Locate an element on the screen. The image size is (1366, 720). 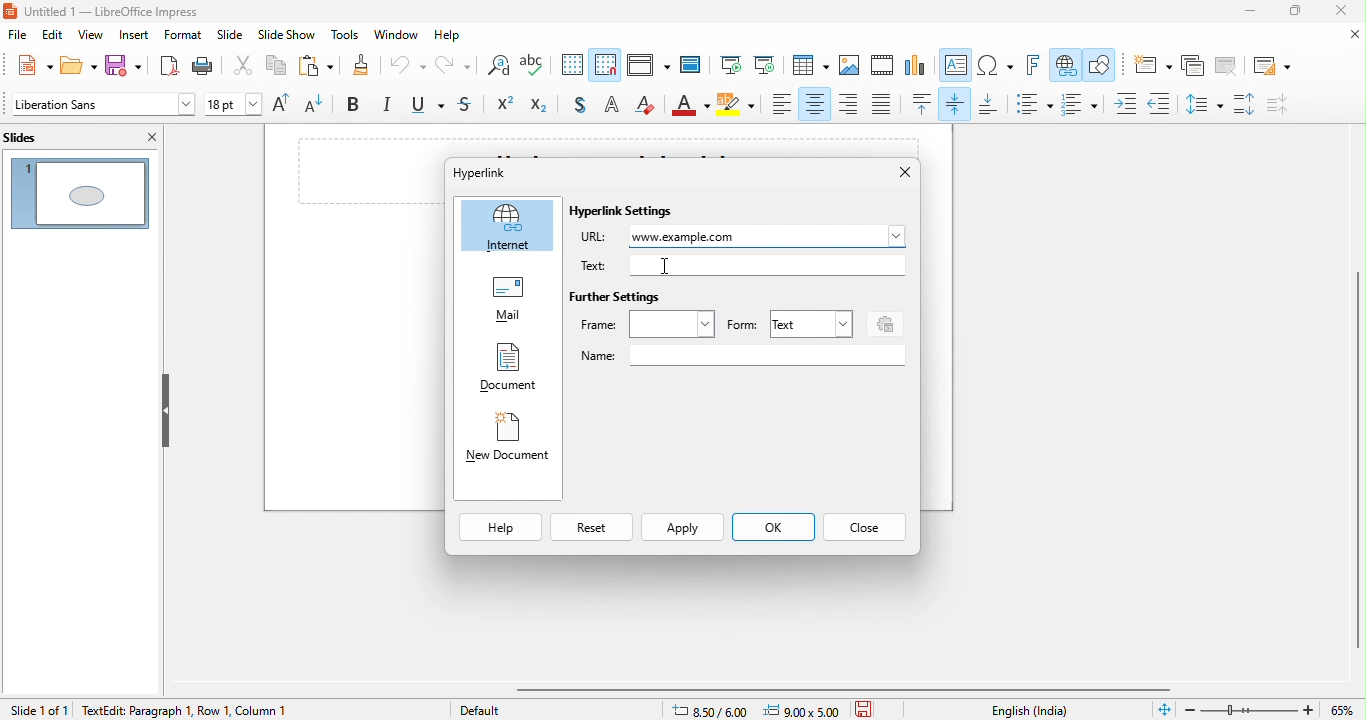
start from current slide is located at coordinates (764, 65).